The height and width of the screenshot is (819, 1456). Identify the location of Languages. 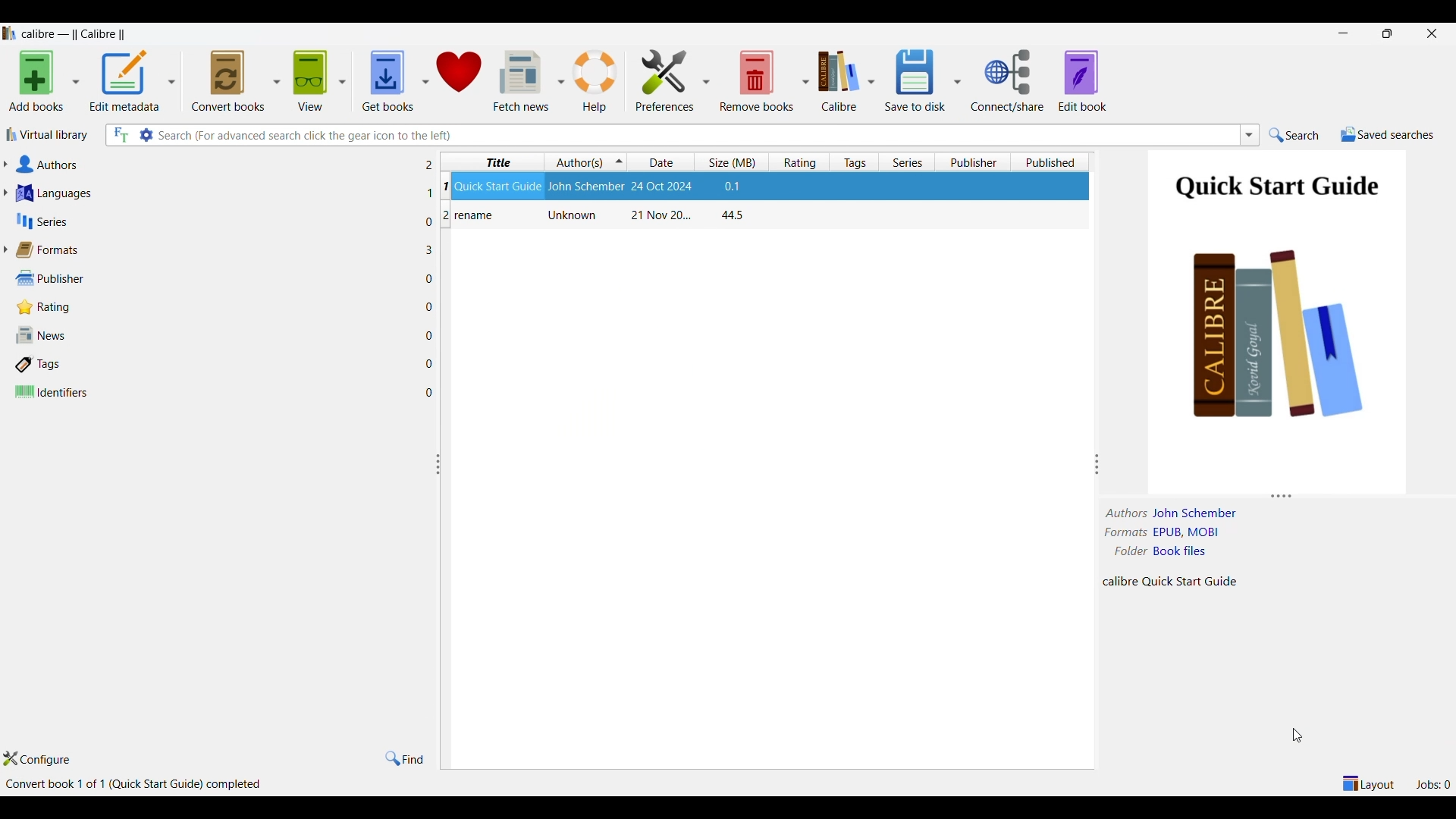
(216, 193).